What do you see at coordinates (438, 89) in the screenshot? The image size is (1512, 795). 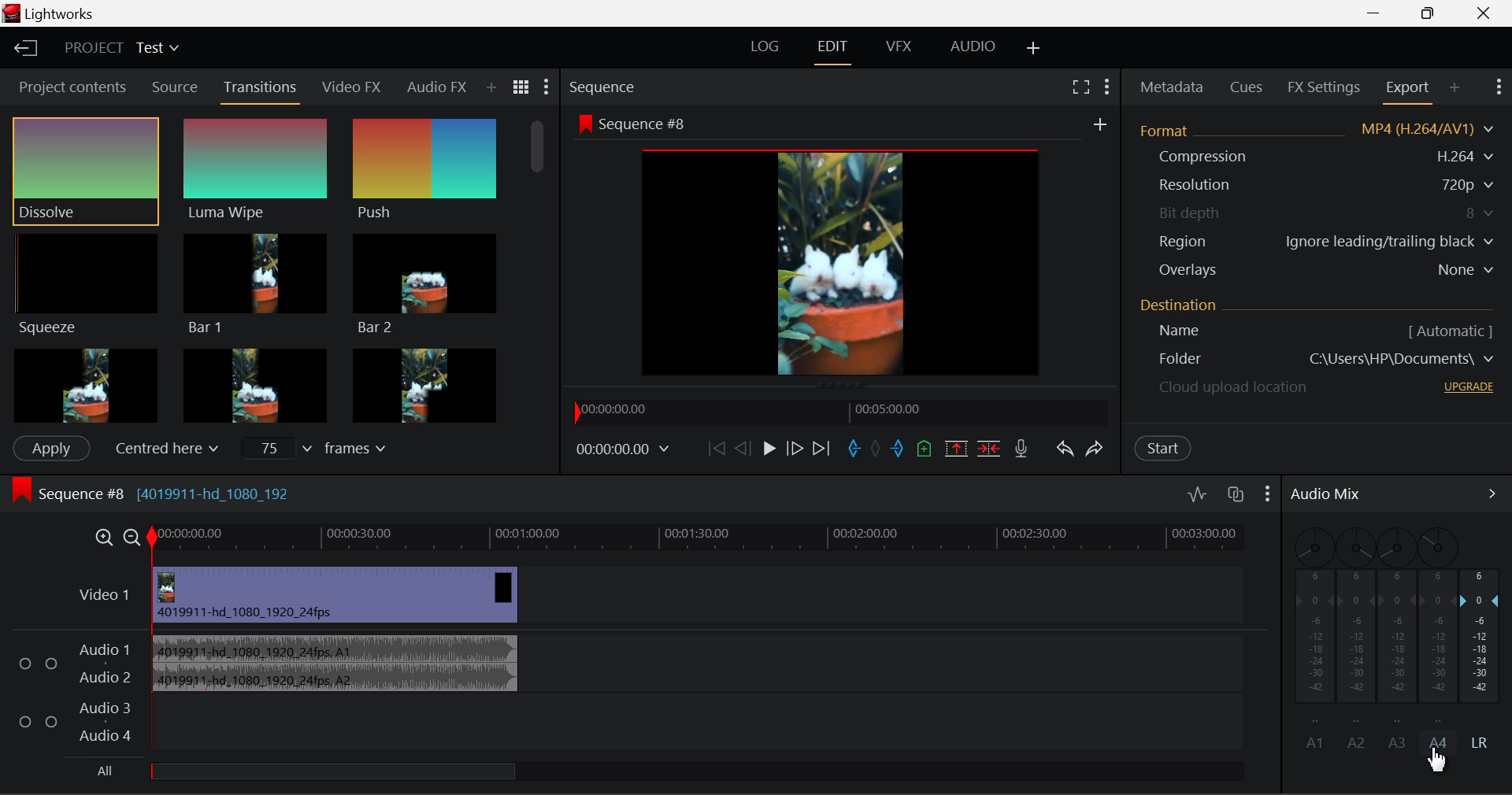 I see `Audio FX` at bounding box center [438, 89].